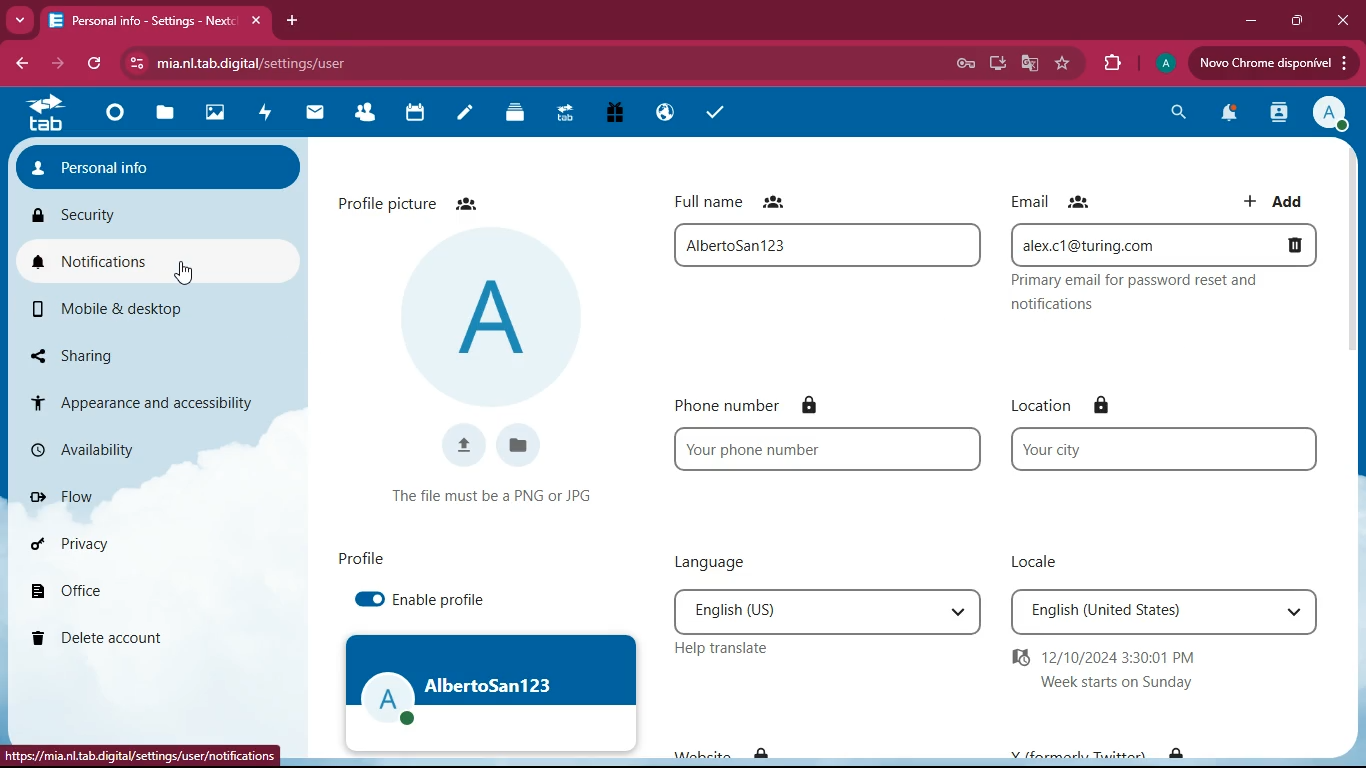 This screenshot has height=768, width=1366. What do you see at coordinates (340, 63) in the screenshot?
I see `url` at bounding box center [340, 63].